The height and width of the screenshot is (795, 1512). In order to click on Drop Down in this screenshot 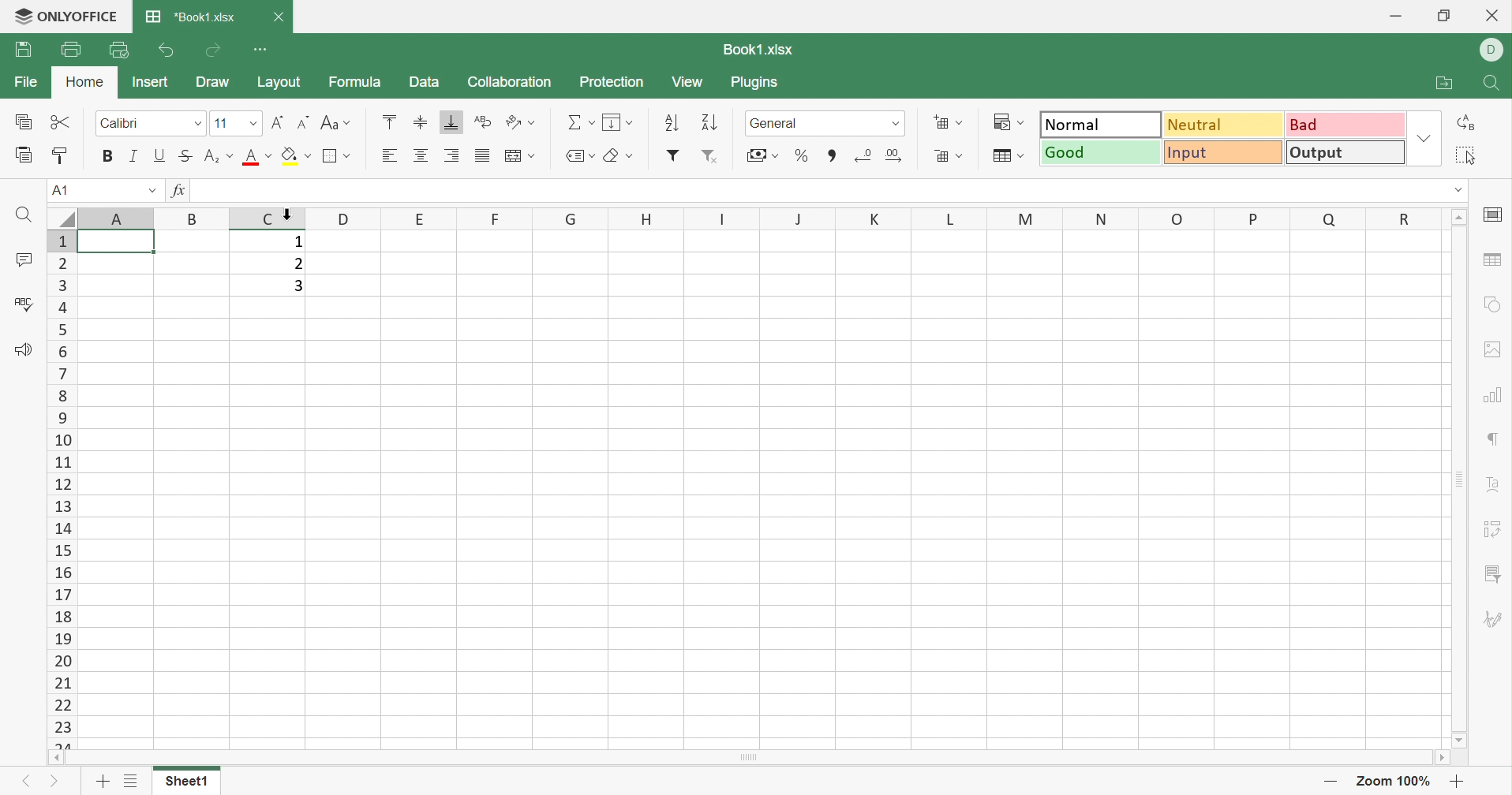, I will do `click(268, 155)`.